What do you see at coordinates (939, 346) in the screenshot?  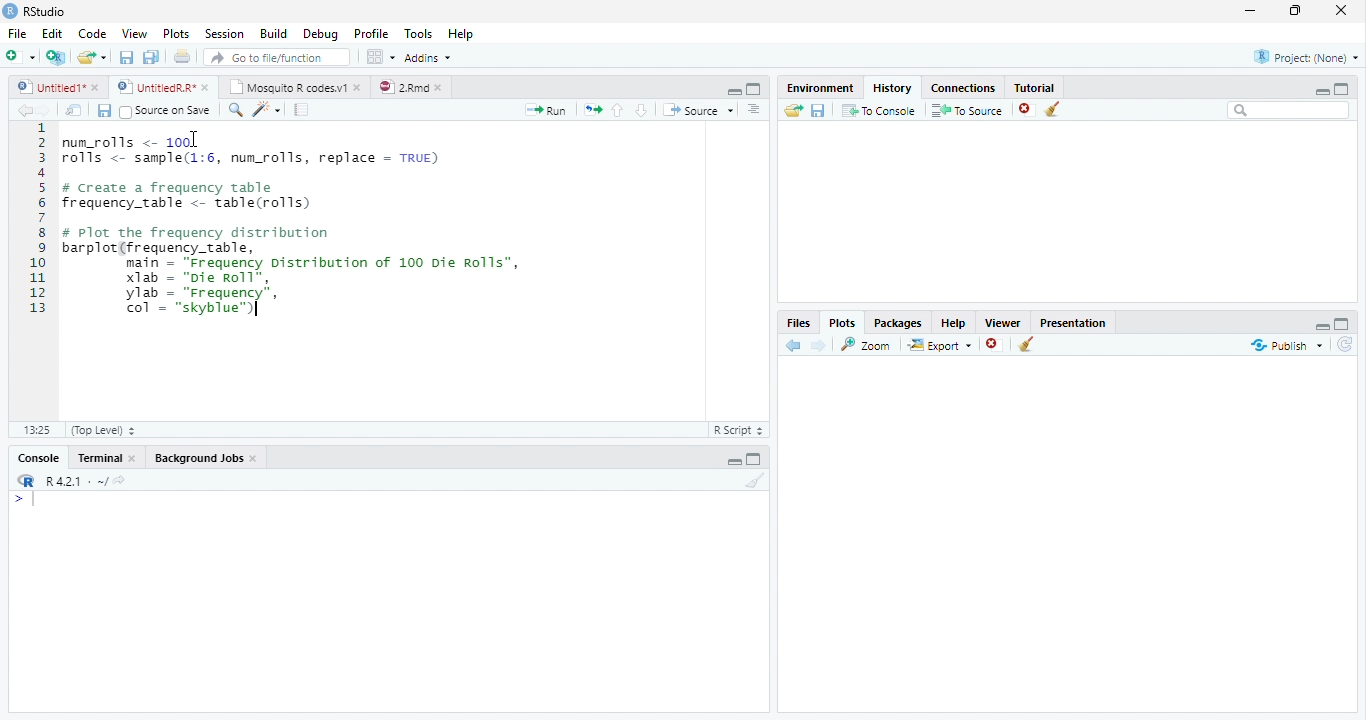 I see `Export` at bounding box center [939, 346].